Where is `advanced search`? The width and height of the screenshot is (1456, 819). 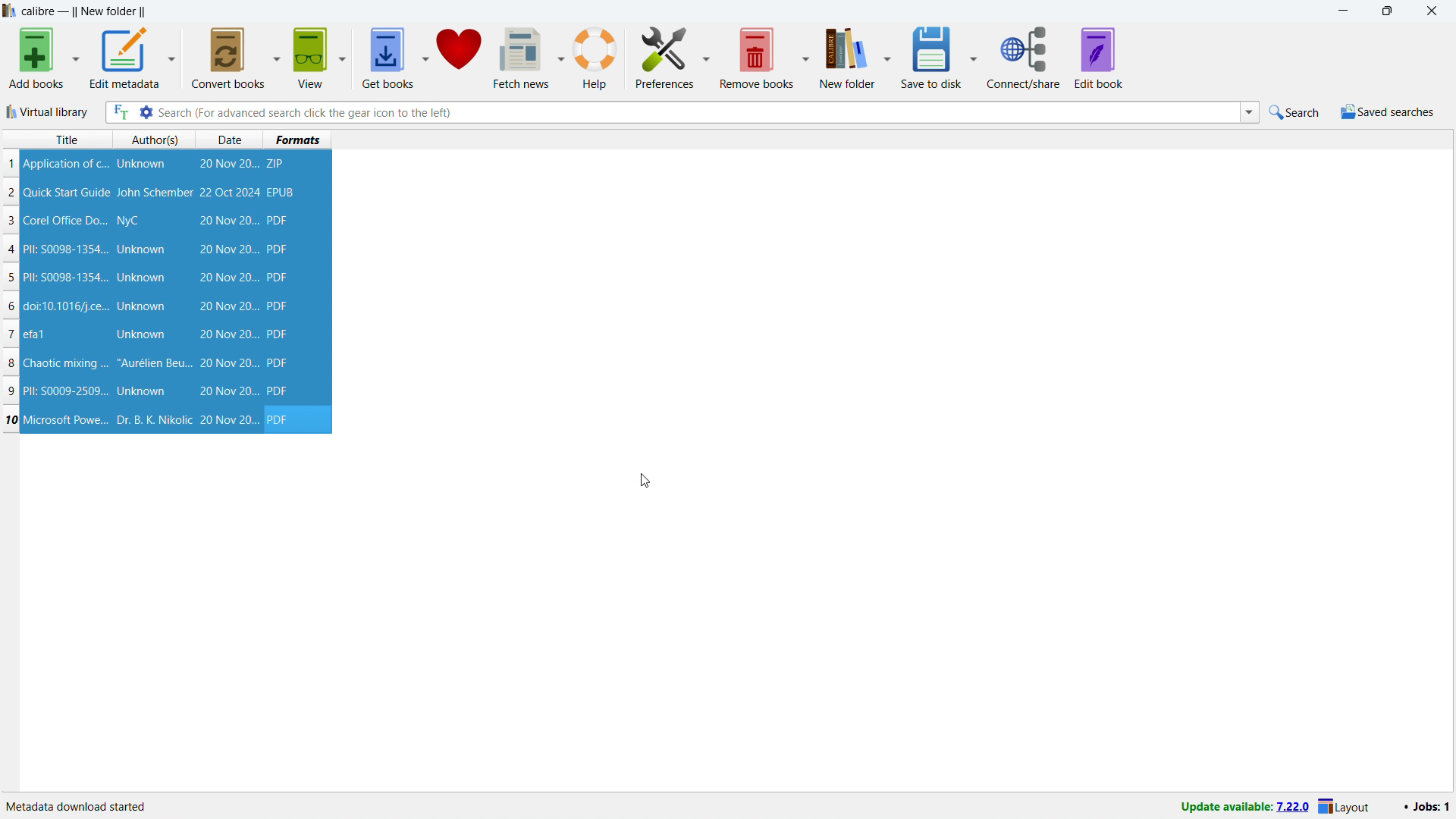 advanced search is located at coordinates (146, 111).